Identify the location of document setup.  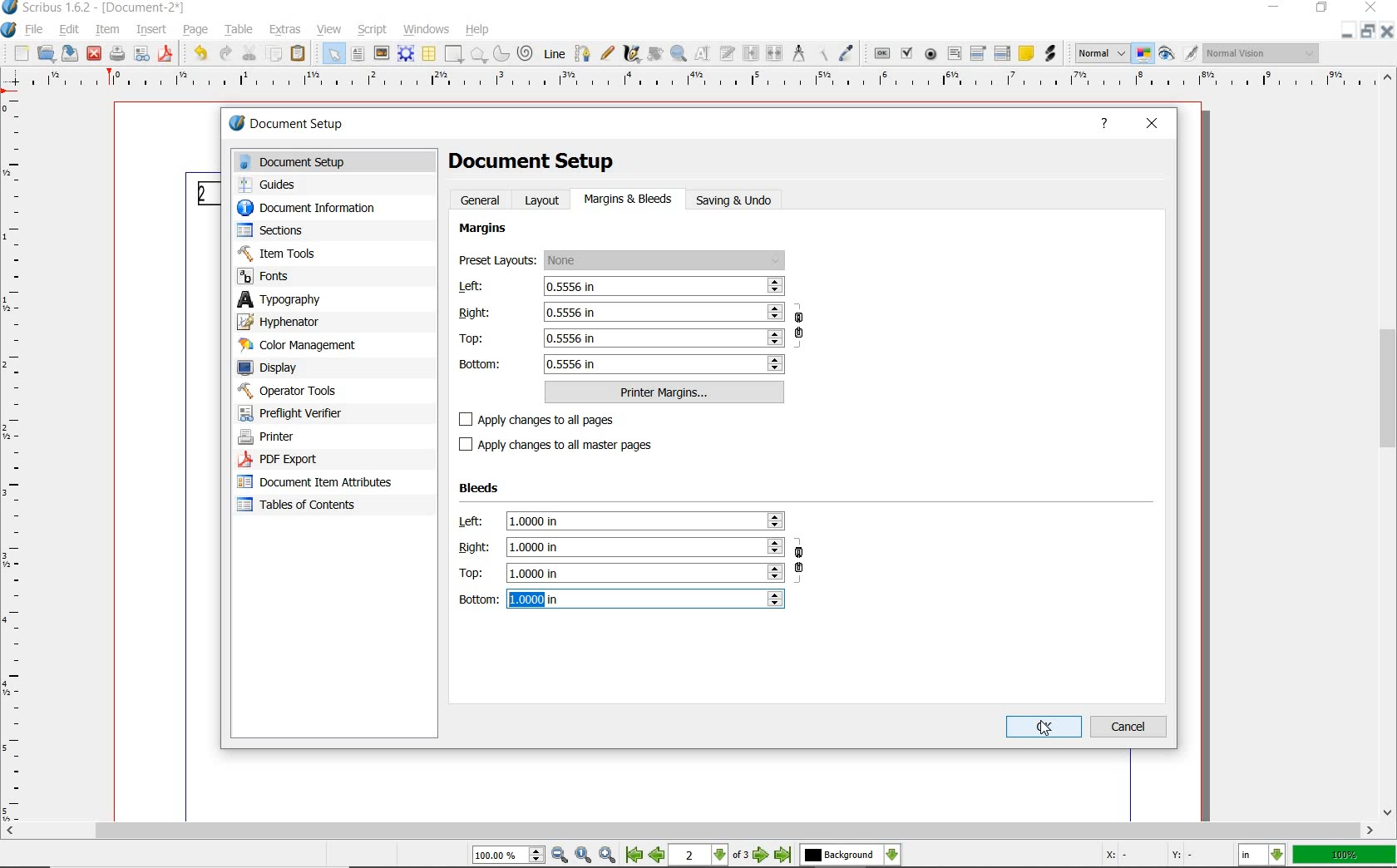
(534, 160).